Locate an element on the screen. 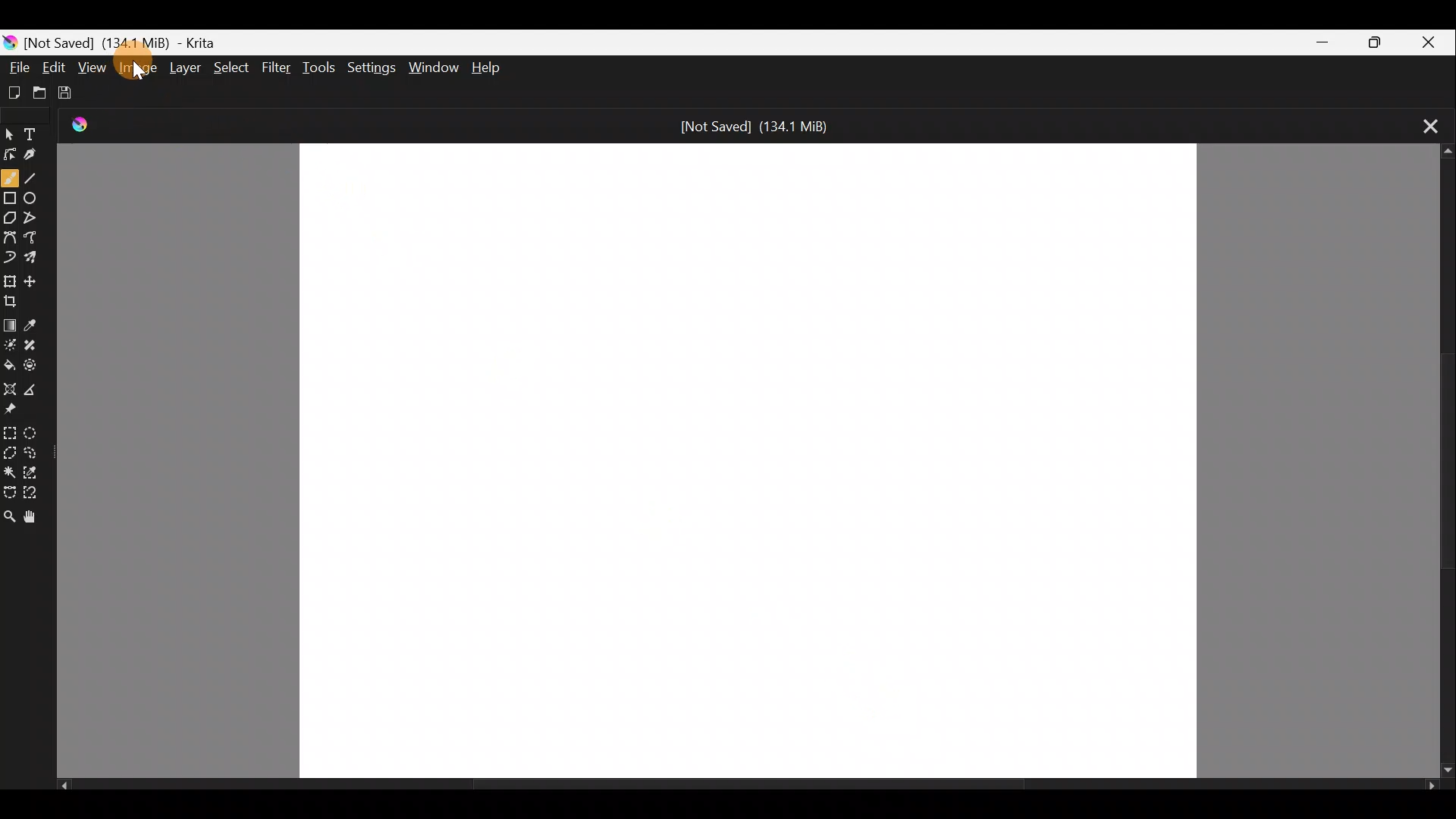  Assistant tool is located at coordinates (9, 386).